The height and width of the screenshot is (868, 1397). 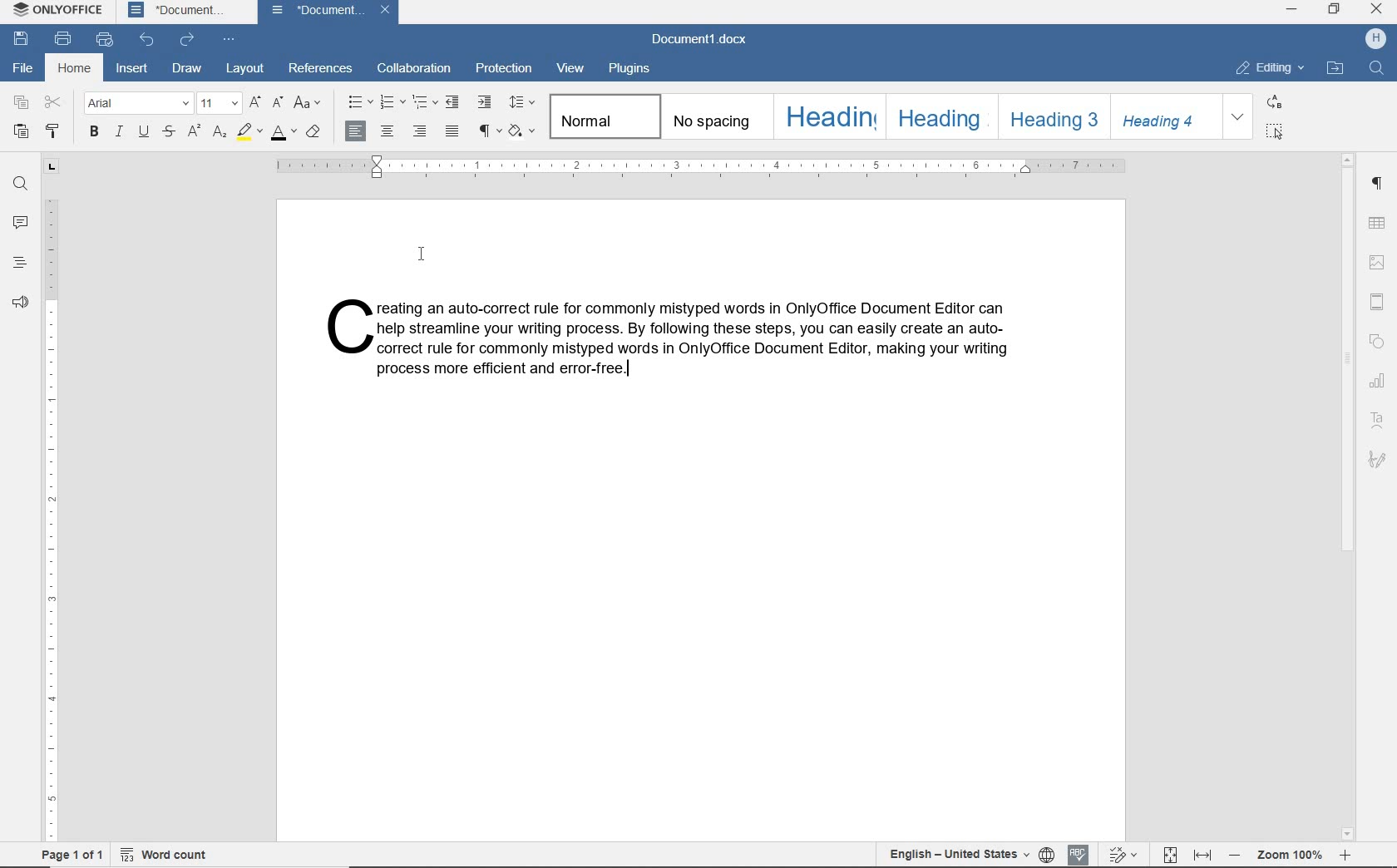 What do you see at coordinates (119, 133) in the screenshot?
I see `ITALIC` at bounding box center [119, 133].